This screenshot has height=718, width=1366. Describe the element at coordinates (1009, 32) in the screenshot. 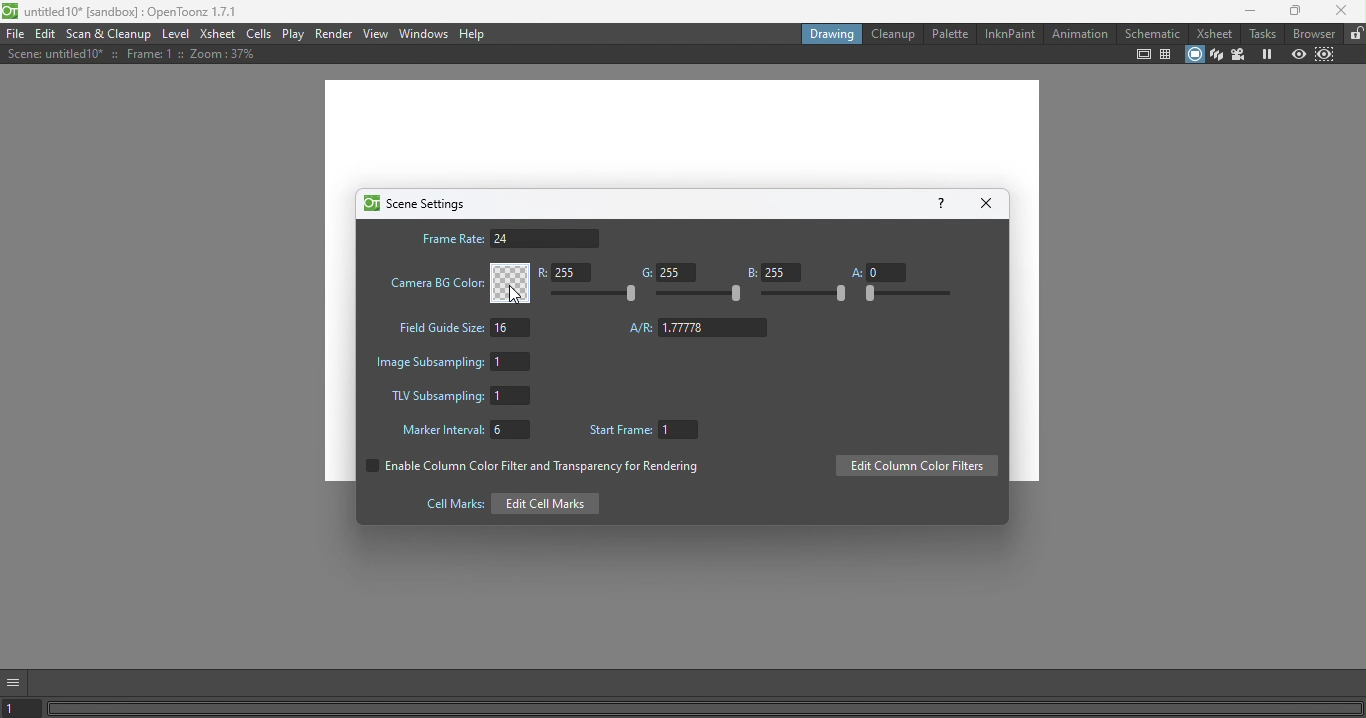

I see `InknPaint` at that location.